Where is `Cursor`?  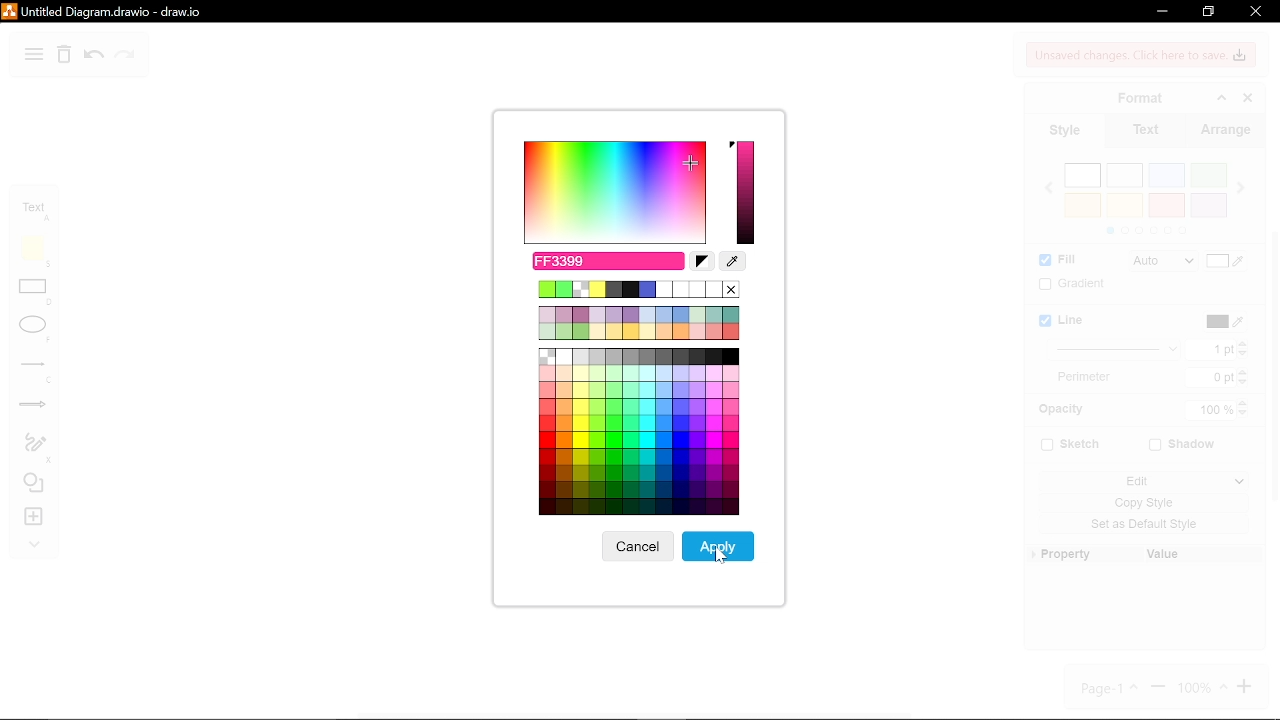
Cursor is located at coordinates (715, 557).